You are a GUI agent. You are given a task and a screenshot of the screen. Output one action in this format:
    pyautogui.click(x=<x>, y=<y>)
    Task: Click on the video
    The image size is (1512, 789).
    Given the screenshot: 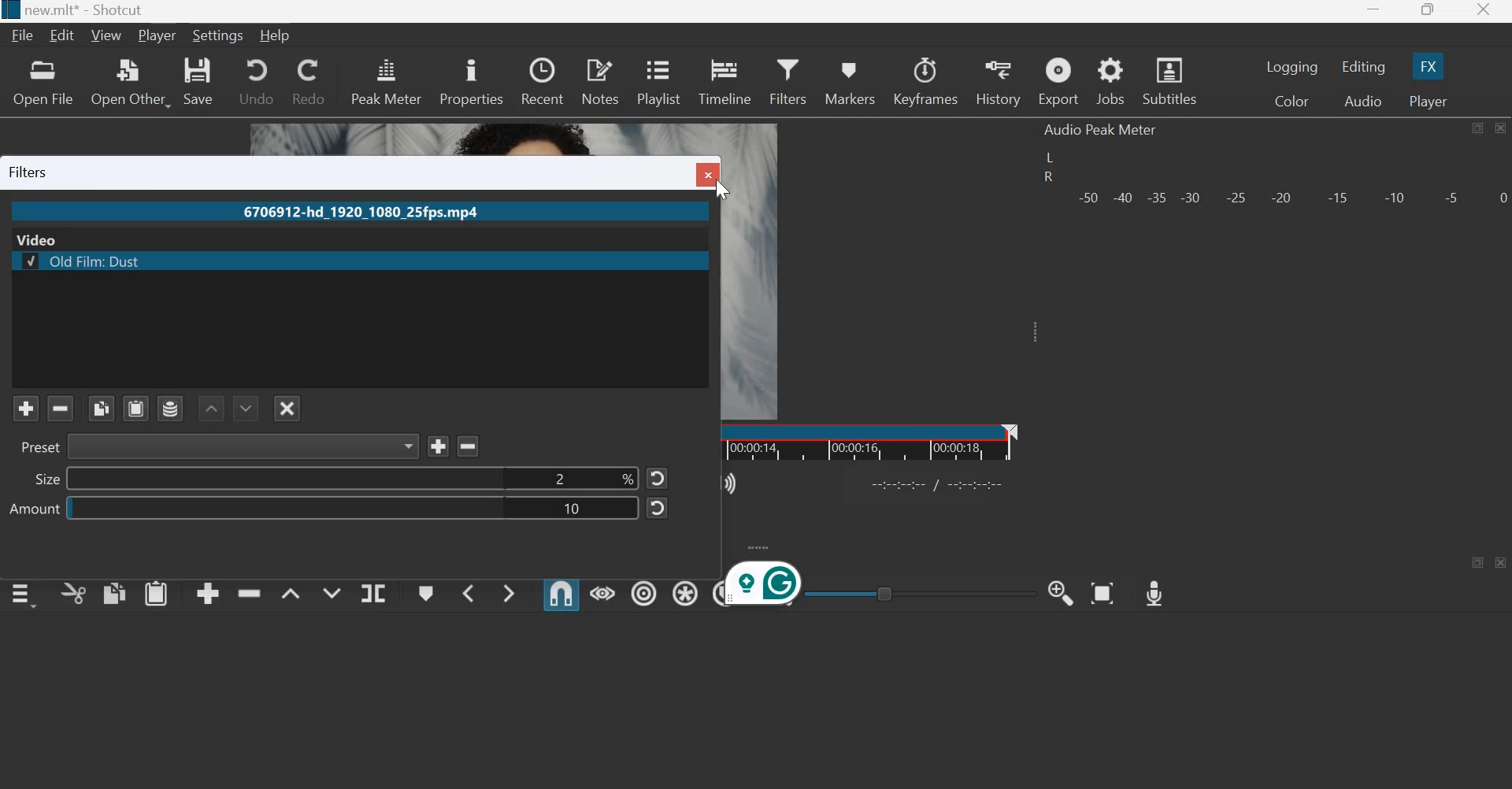 What is the action you would take?
    pyautogui.click(x=41, y=239)
    